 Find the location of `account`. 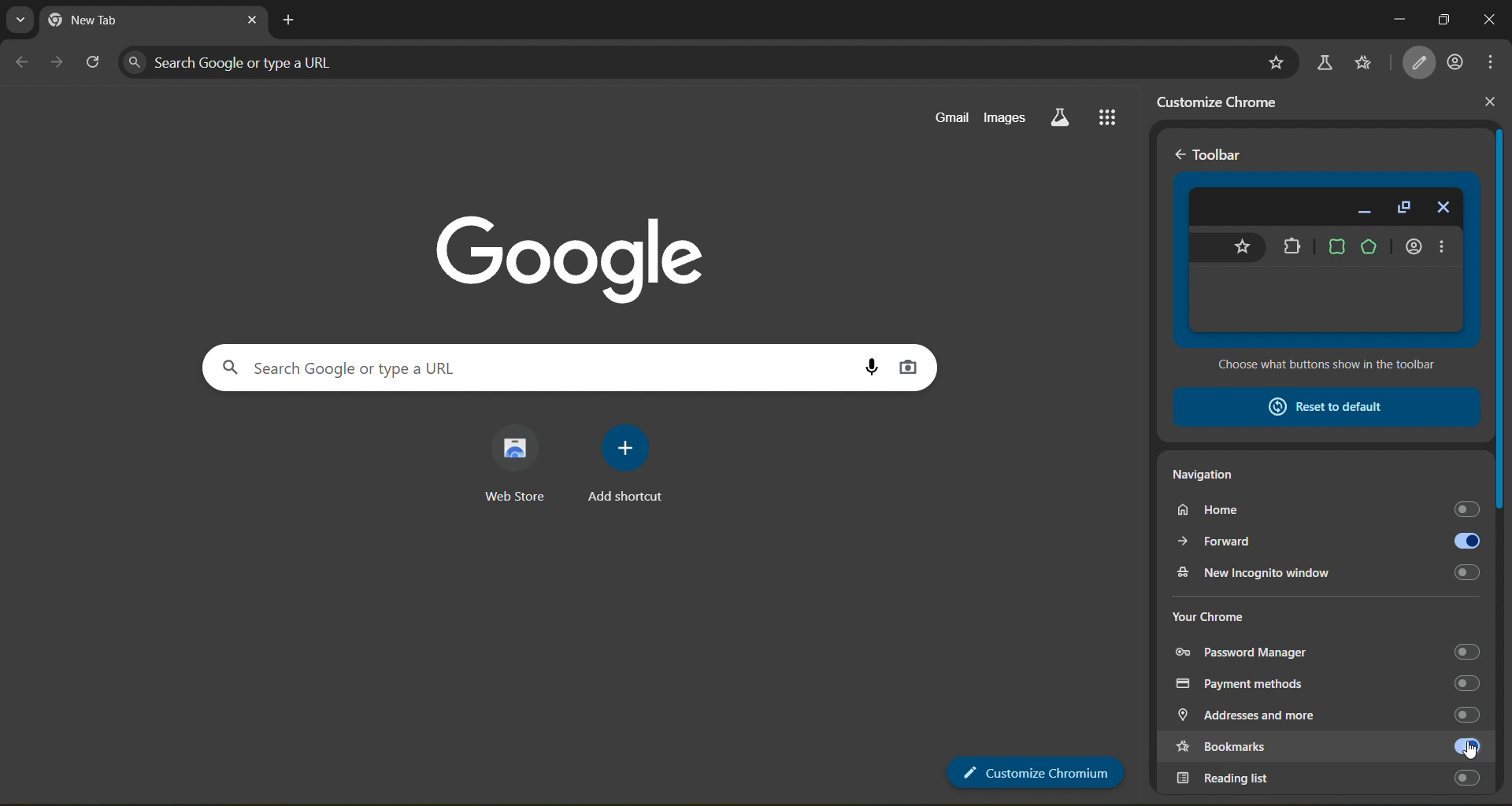

account is located at coordinates (1457, 64).